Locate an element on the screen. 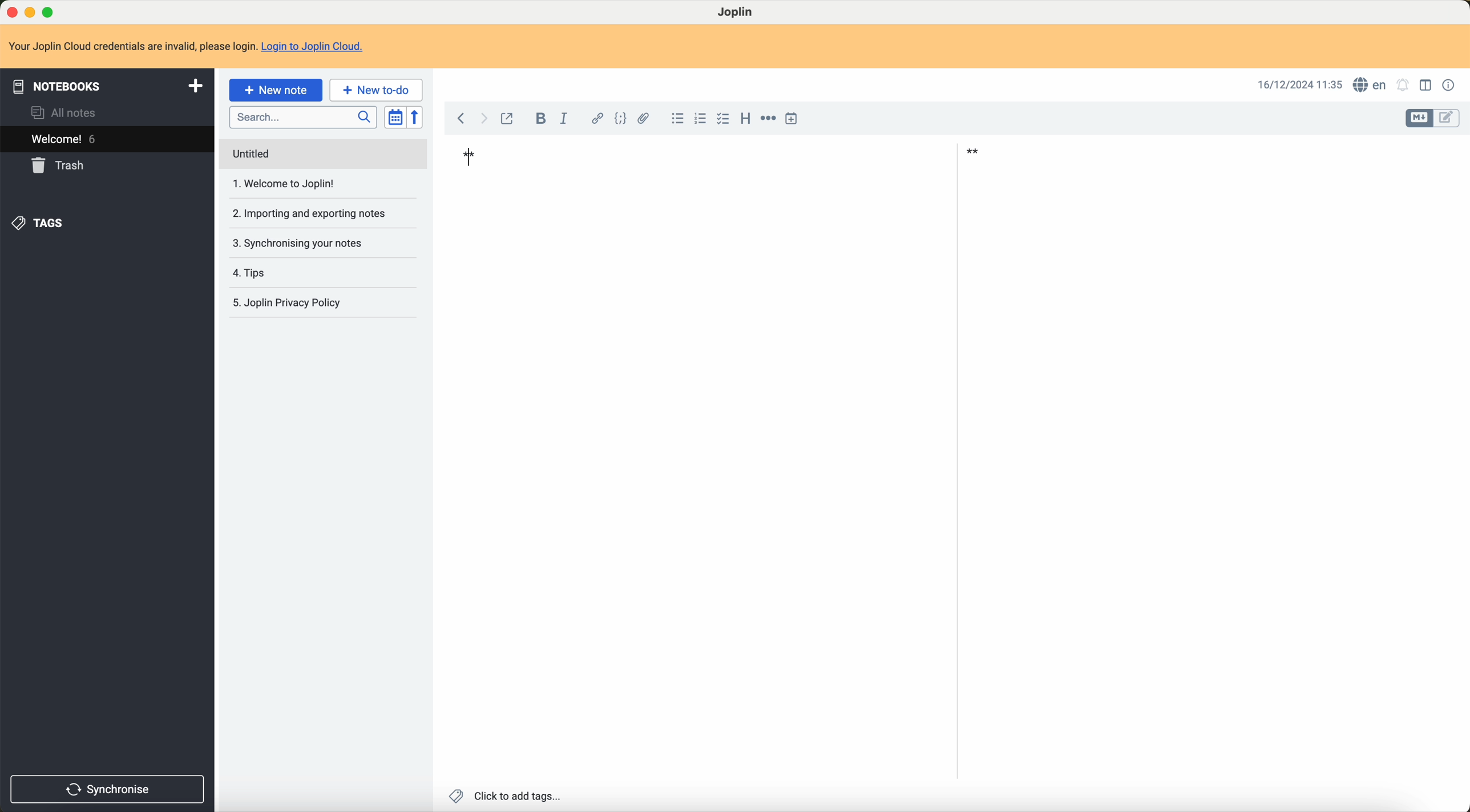 This screenshot has height=812, width=1470. 4.tips is located at coordinates (253, 273).